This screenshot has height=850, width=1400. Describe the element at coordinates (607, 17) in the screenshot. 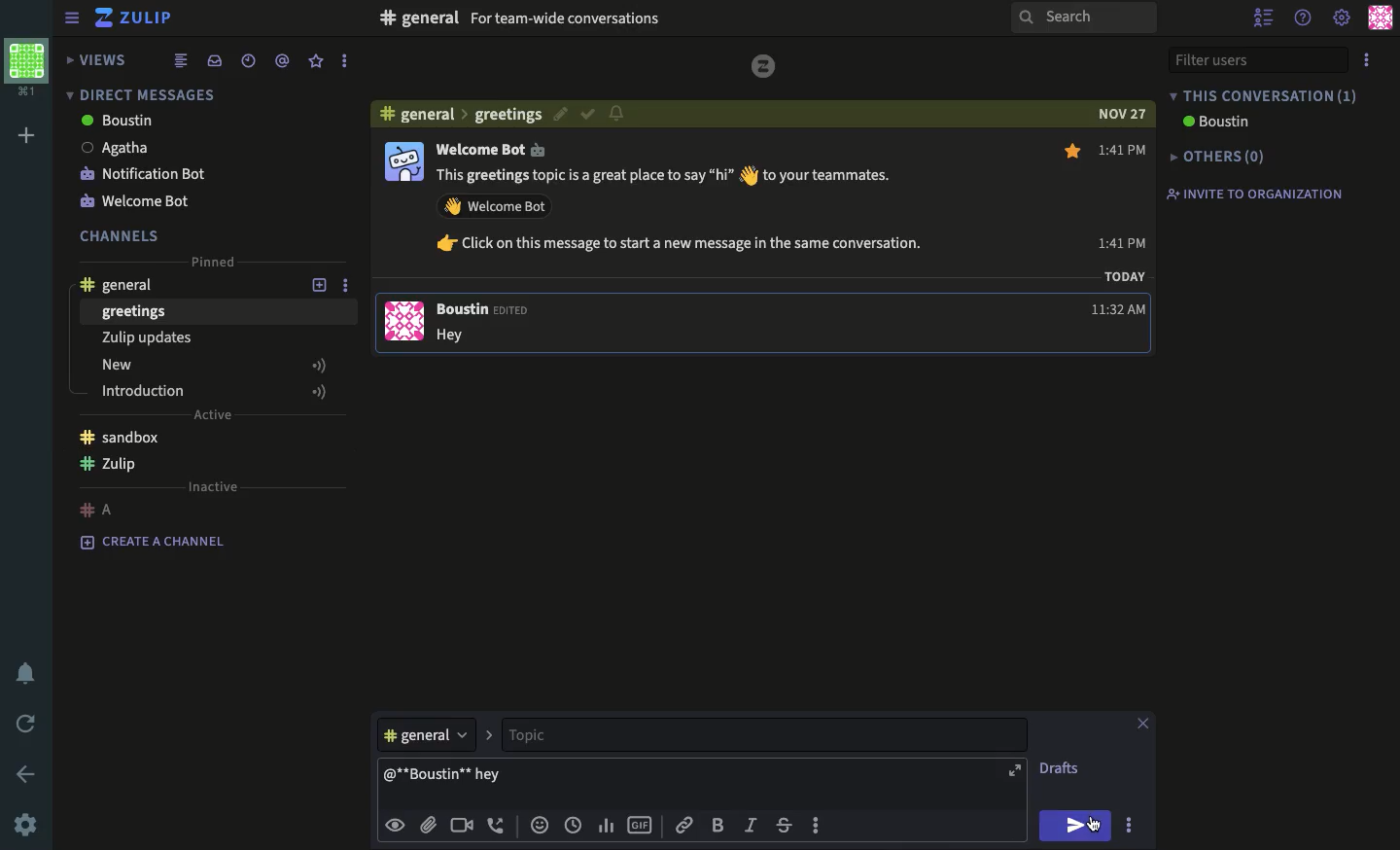

I see `#F general For team-wide conversations` at that location.